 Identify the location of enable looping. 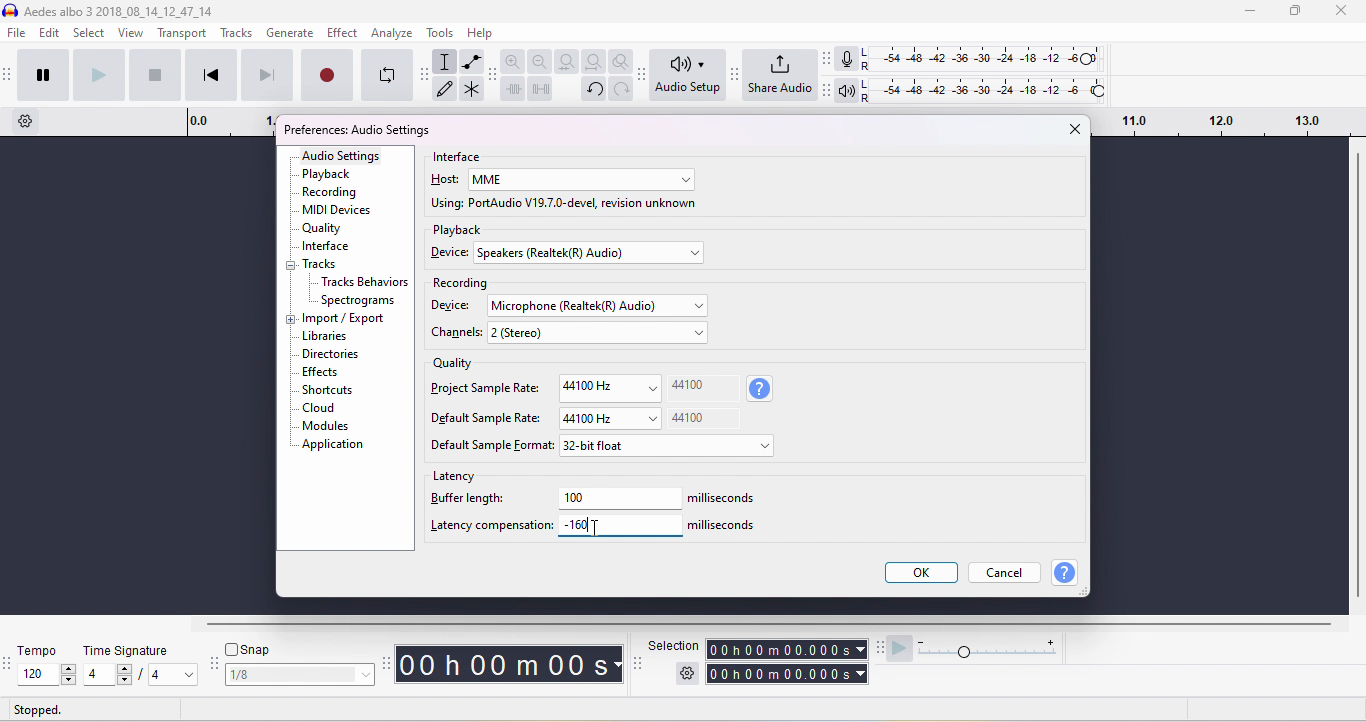
(387, 74).